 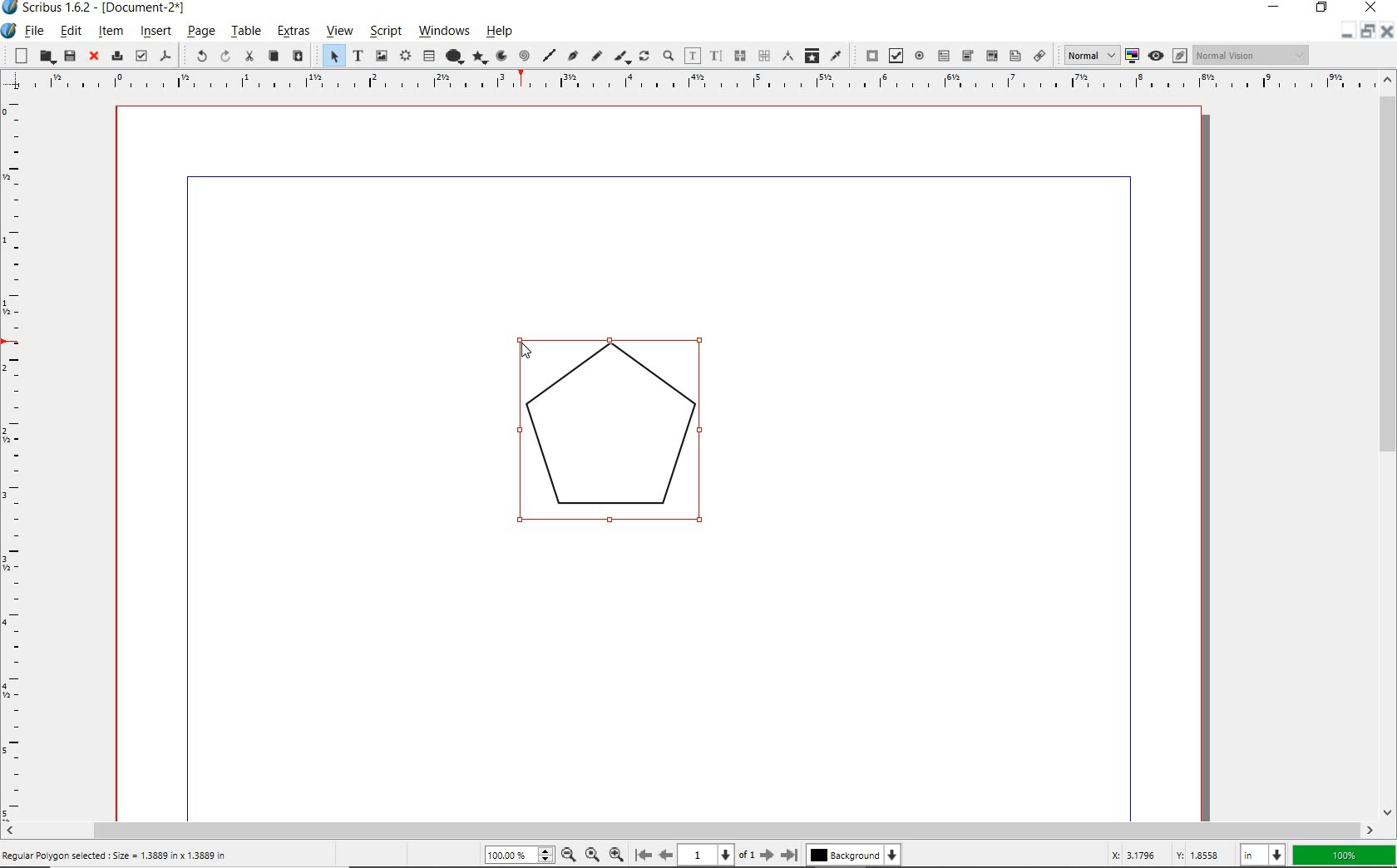 I want to click on Regular Polygon selected : Size = 1.3889 in x 1.3889 in, so click(x=116, y=855).